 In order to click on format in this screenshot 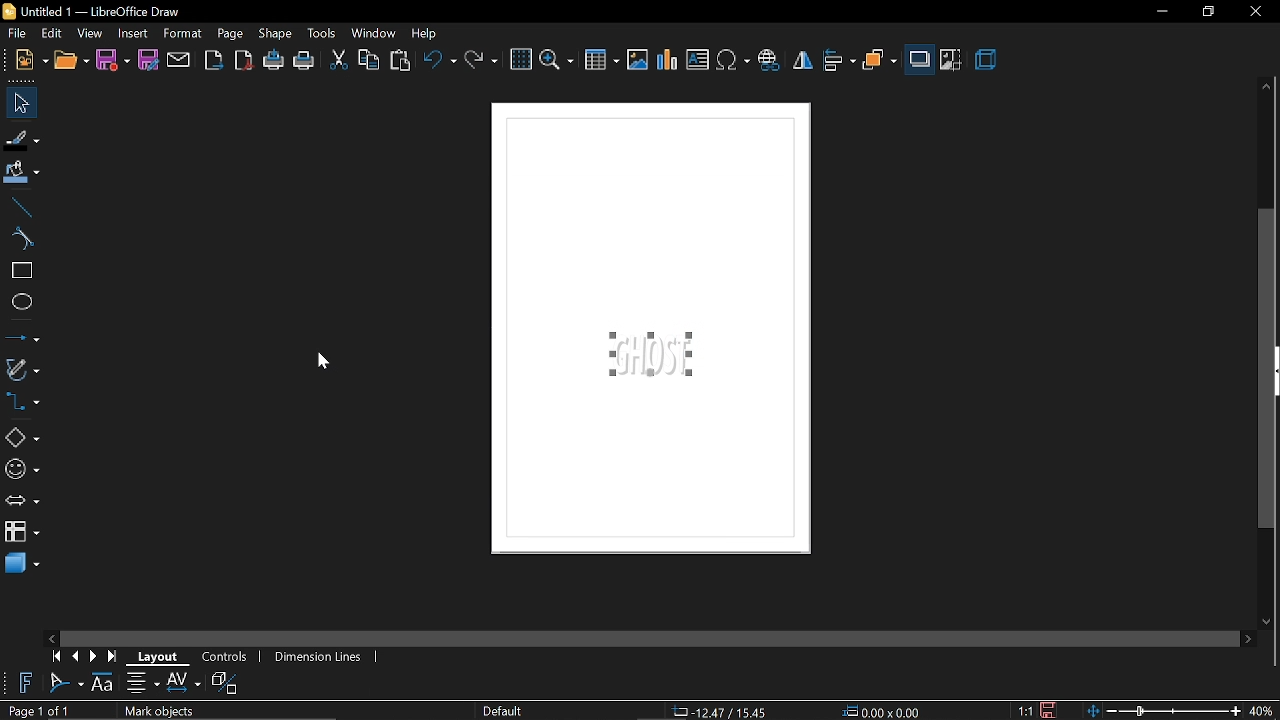, I will do `click(183, 33)`.